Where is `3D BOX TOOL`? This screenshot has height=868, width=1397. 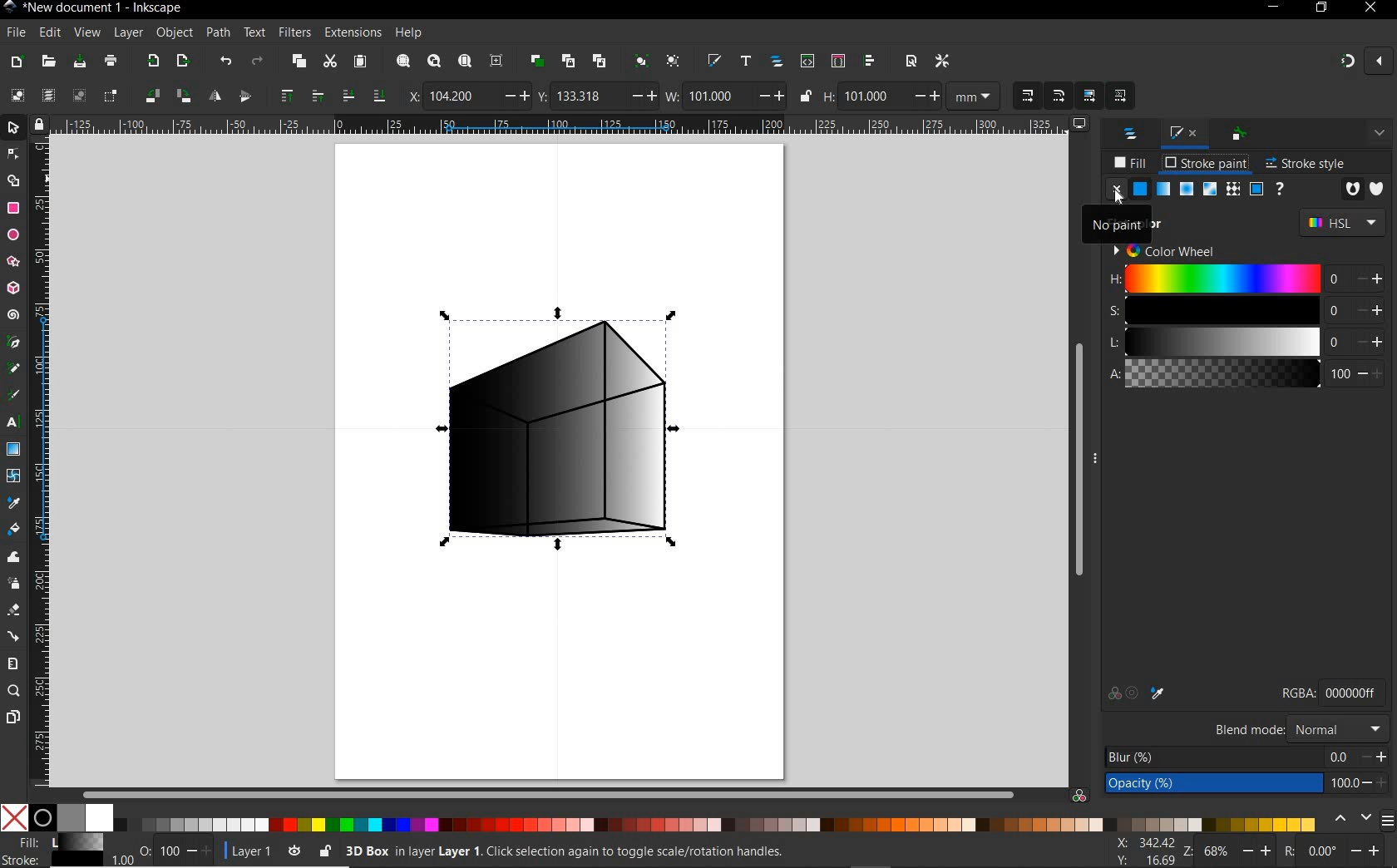
3D BOX TOOL is located at coordinates (12, 287).